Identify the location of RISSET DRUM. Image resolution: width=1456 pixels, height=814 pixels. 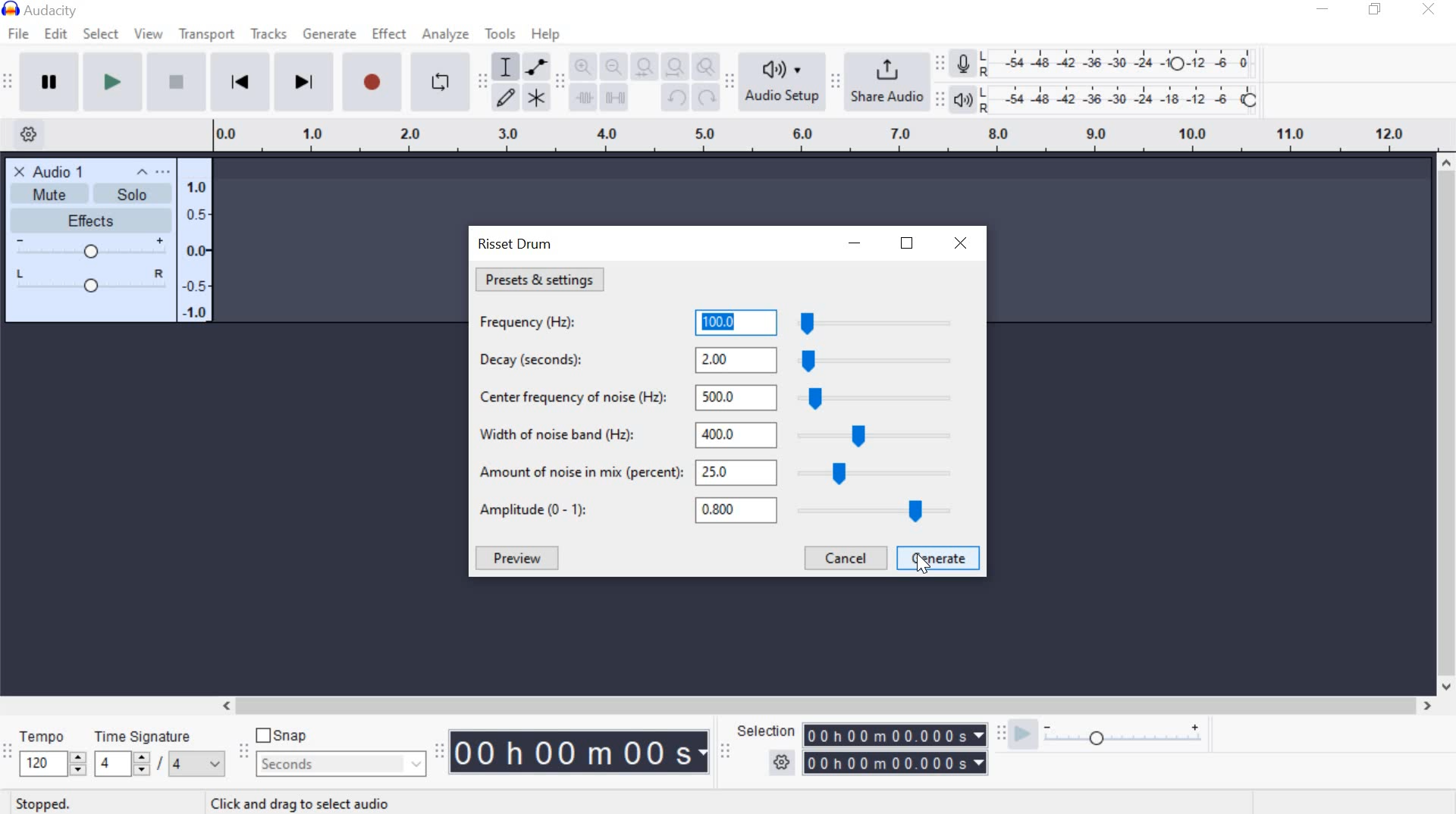
(515, 246).